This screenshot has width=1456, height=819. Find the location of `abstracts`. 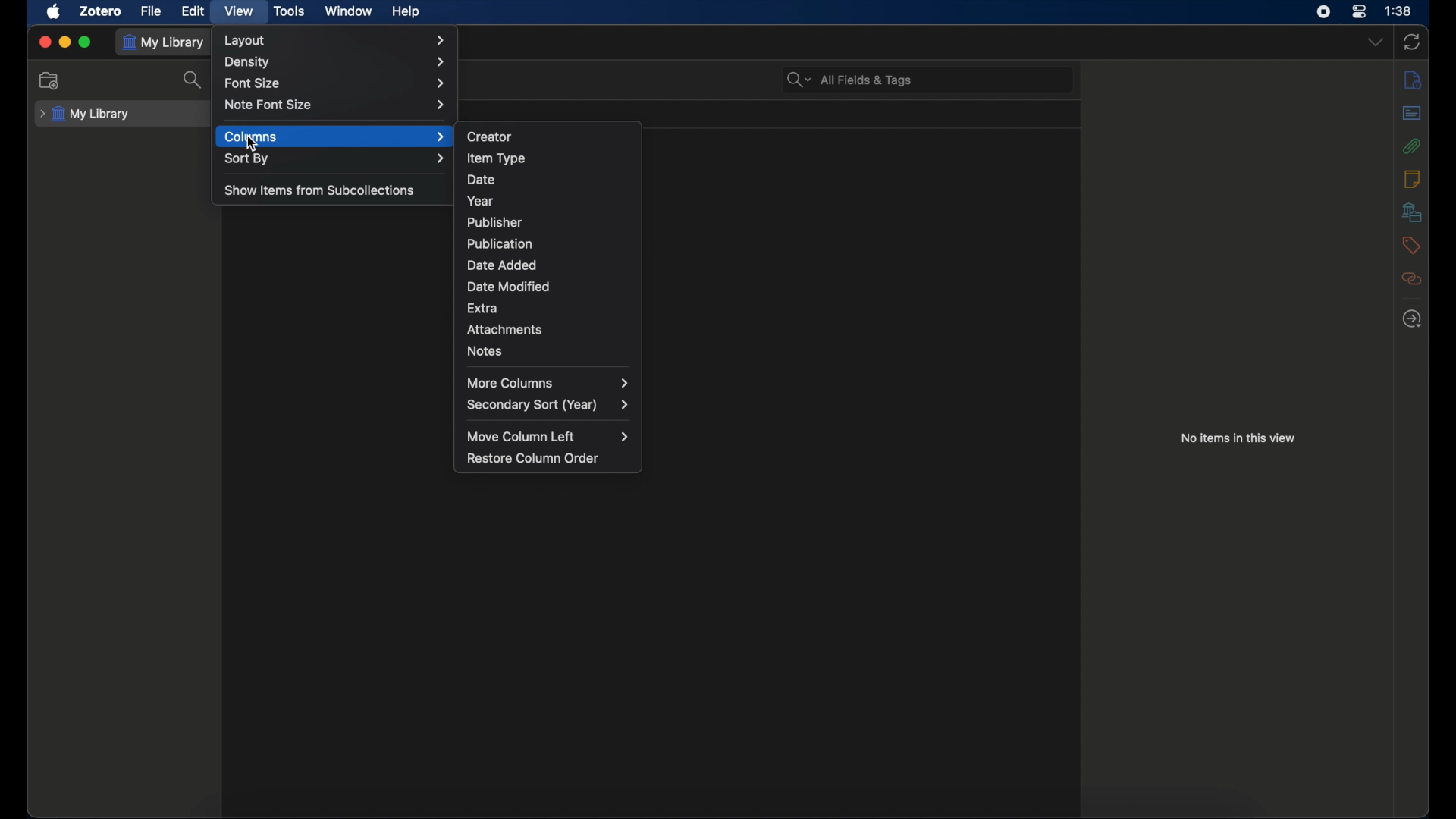

abstracts is located at coordinates (1411, 112).